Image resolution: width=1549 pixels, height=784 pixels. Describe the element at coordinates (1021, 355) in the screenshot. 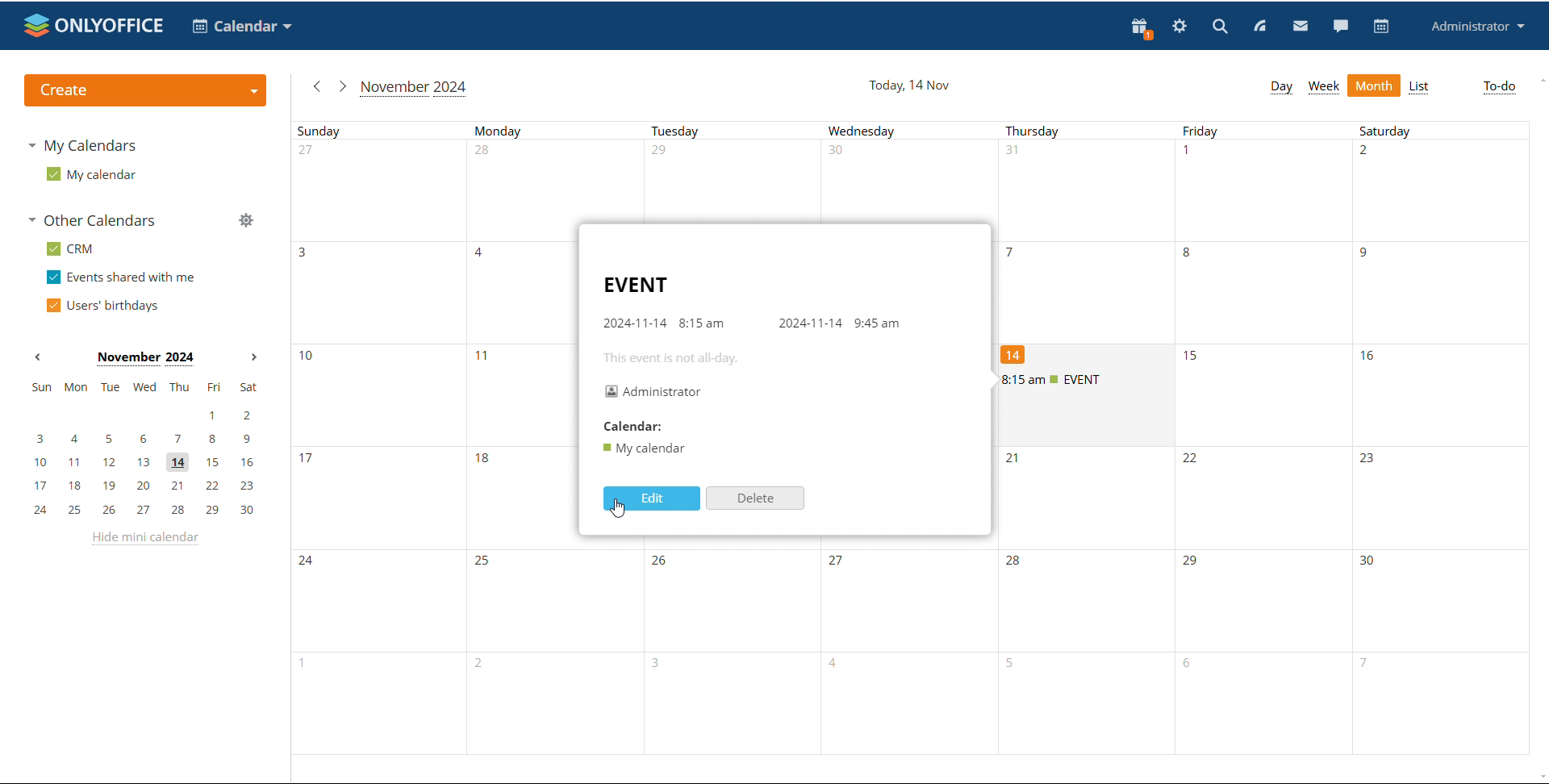

I see `14` at that location.